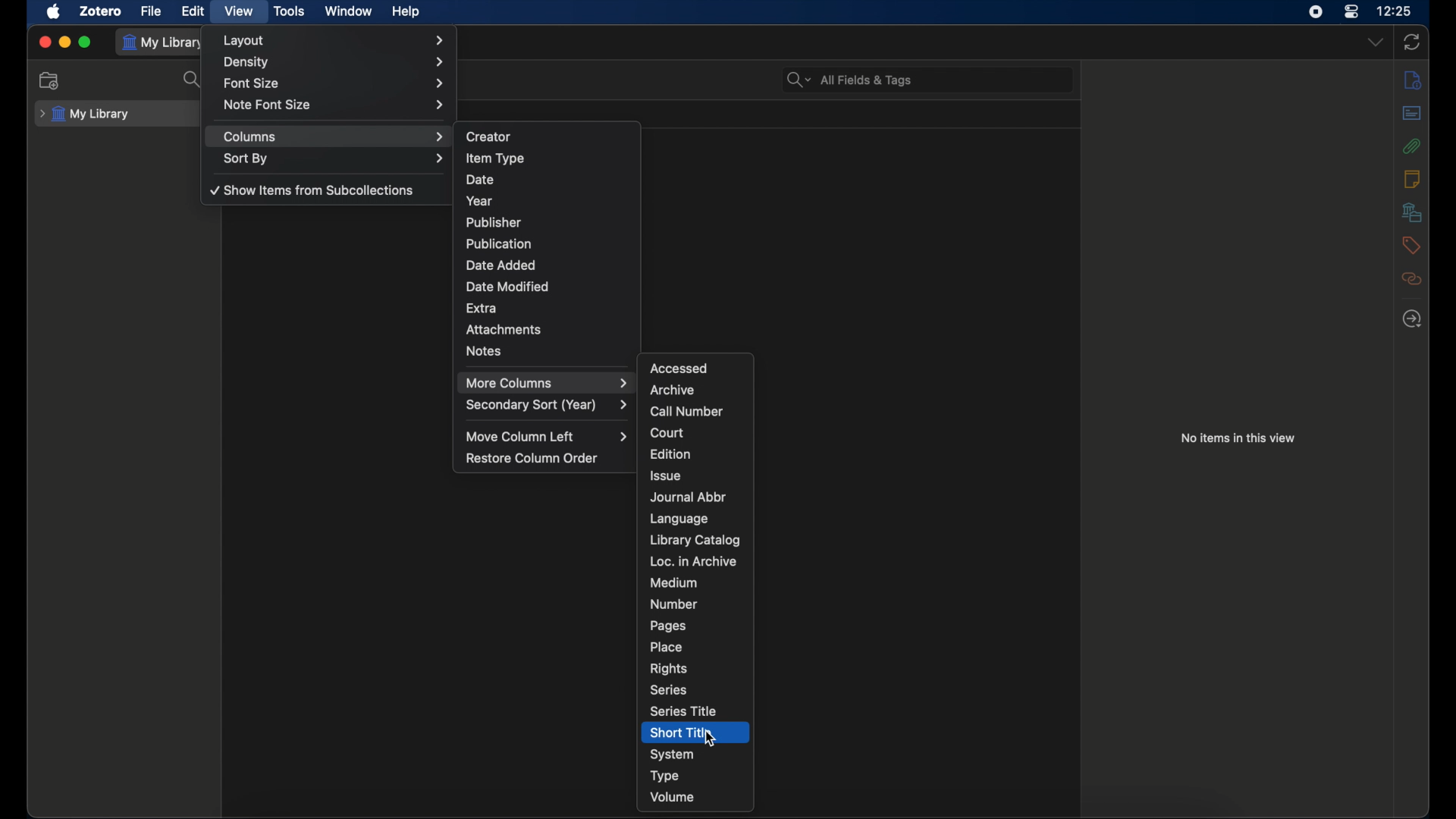  I want to click on time, so click(1395, 11).